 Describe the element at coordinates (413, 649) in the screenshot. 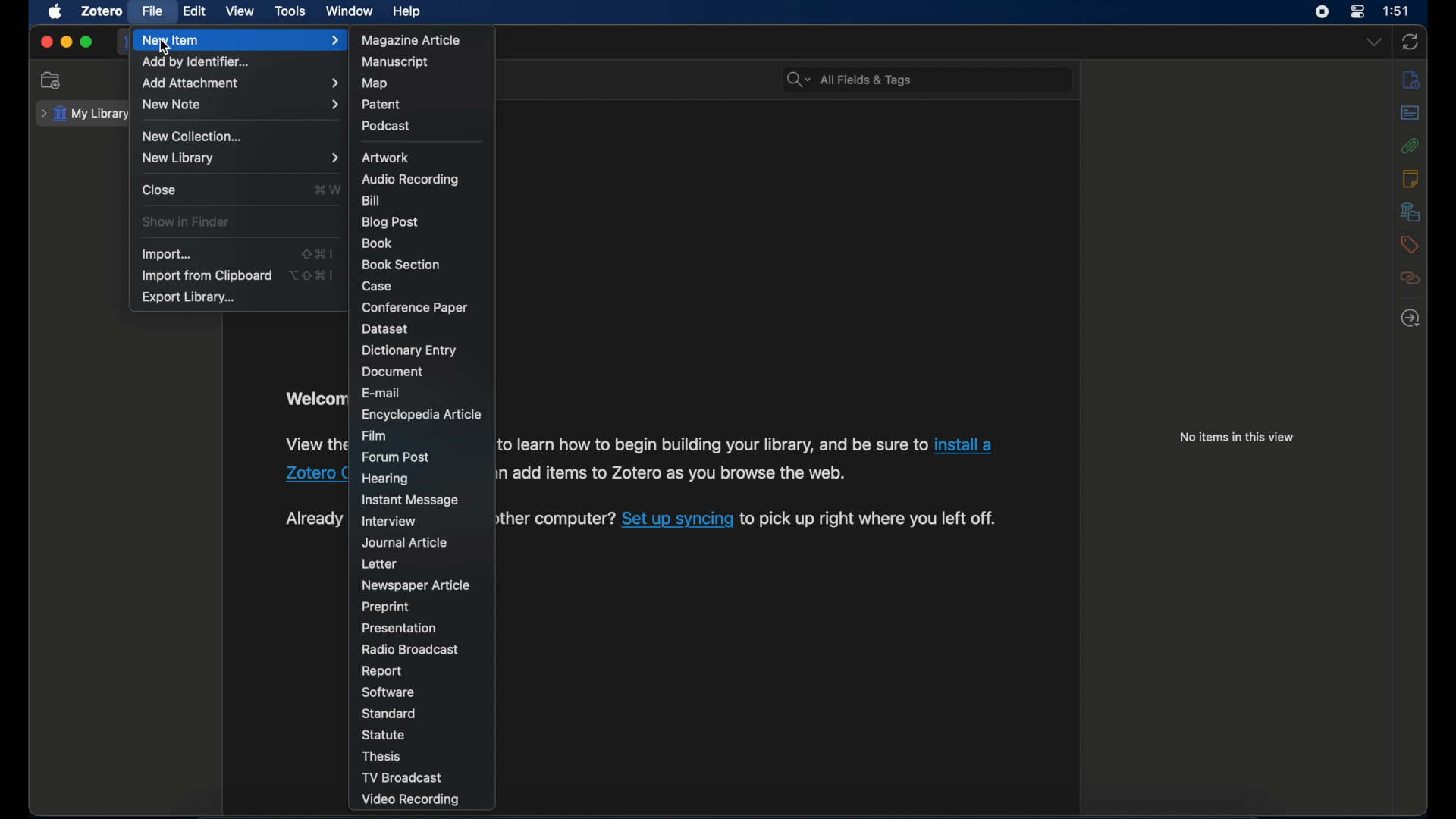

I see `radio broadcast` at that location.